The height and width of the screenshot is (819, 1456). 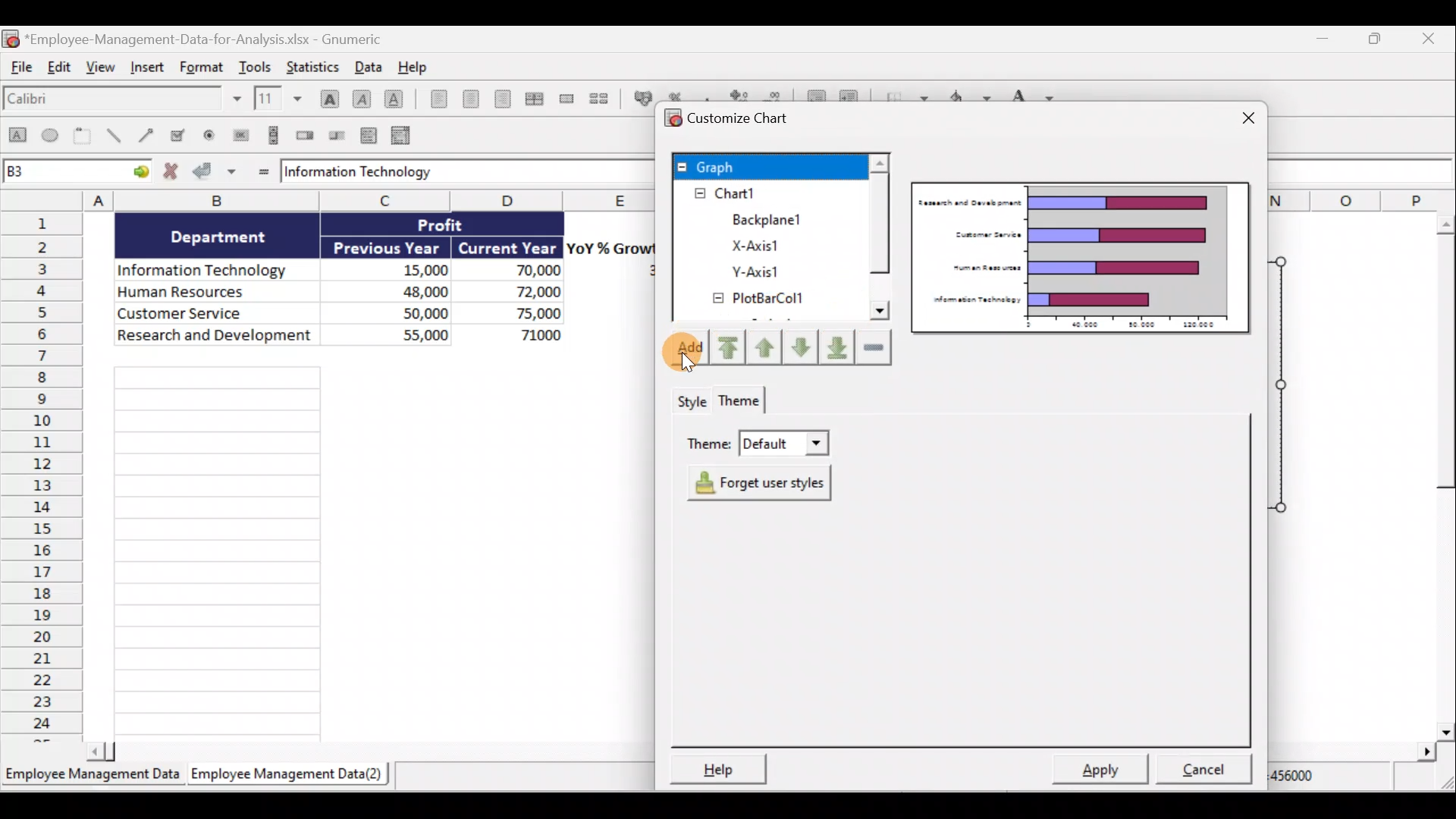 What do you see at coordinates (683, 349) in the screenshot?
I see `Add` at bounding box center [683, 349].